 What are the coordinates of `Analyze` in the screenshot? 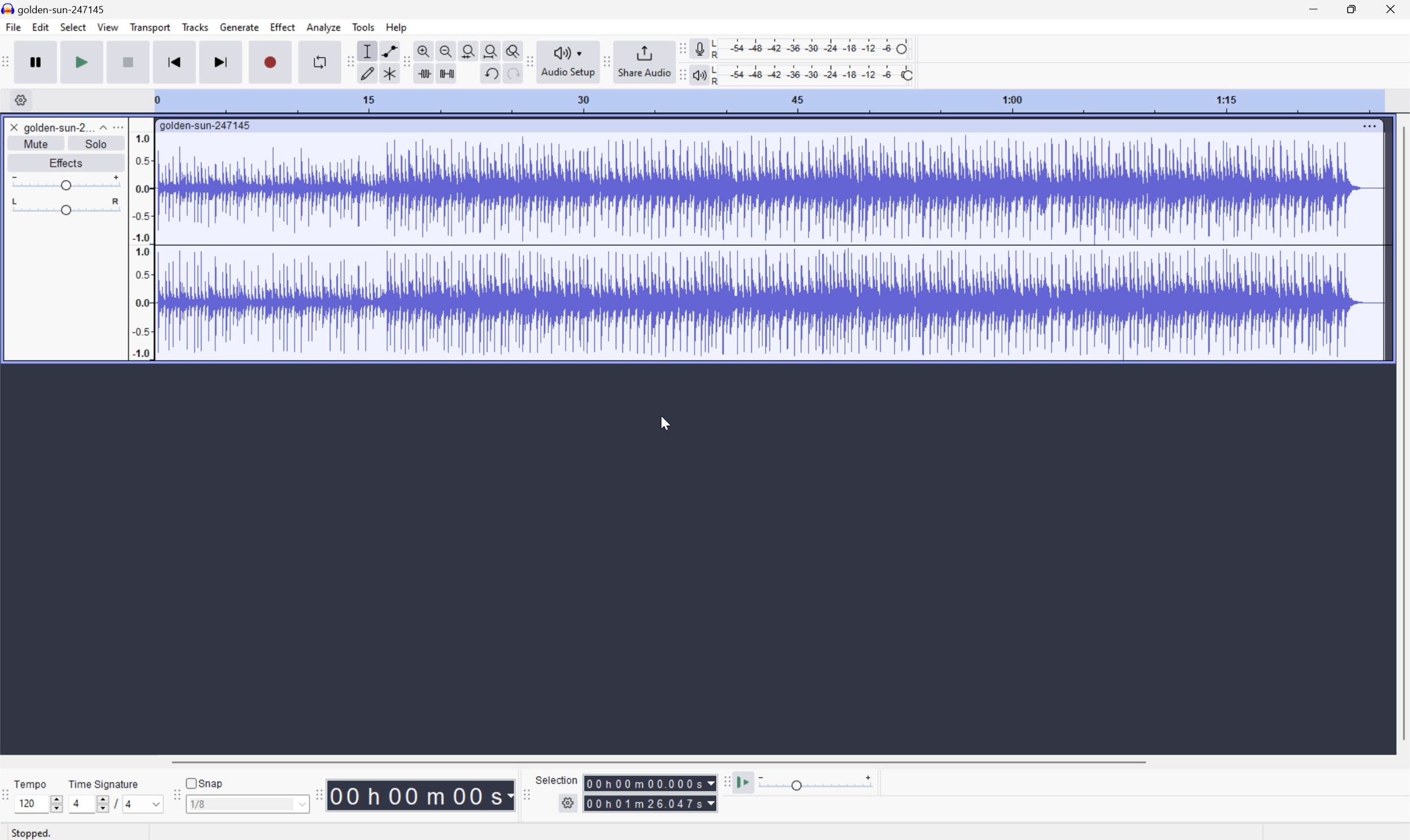 It's located at (323, 27).